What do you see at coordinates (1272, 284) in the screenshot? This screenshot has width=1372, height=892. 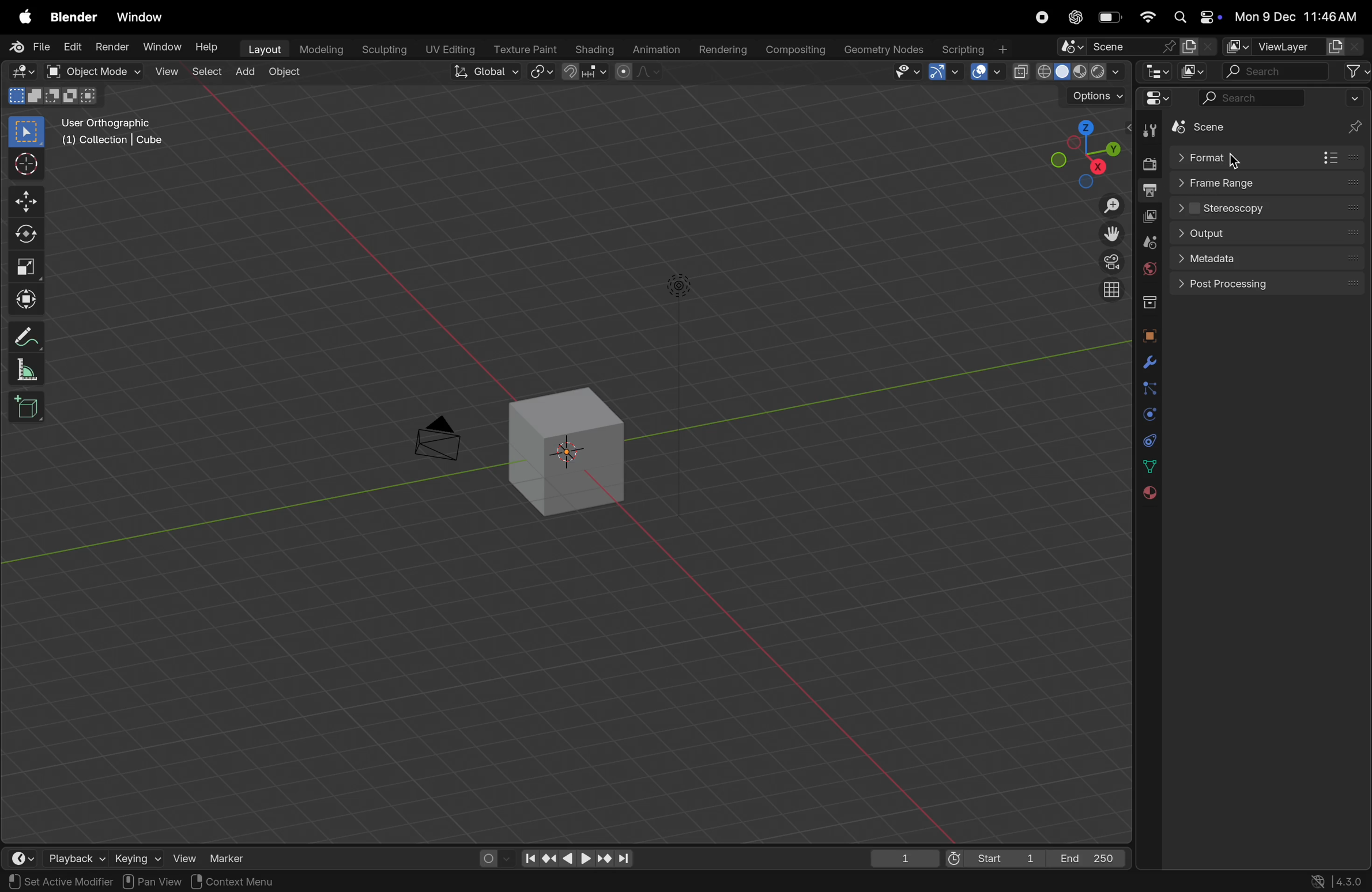 I see `post processing` at bounding box center [1272, 284].